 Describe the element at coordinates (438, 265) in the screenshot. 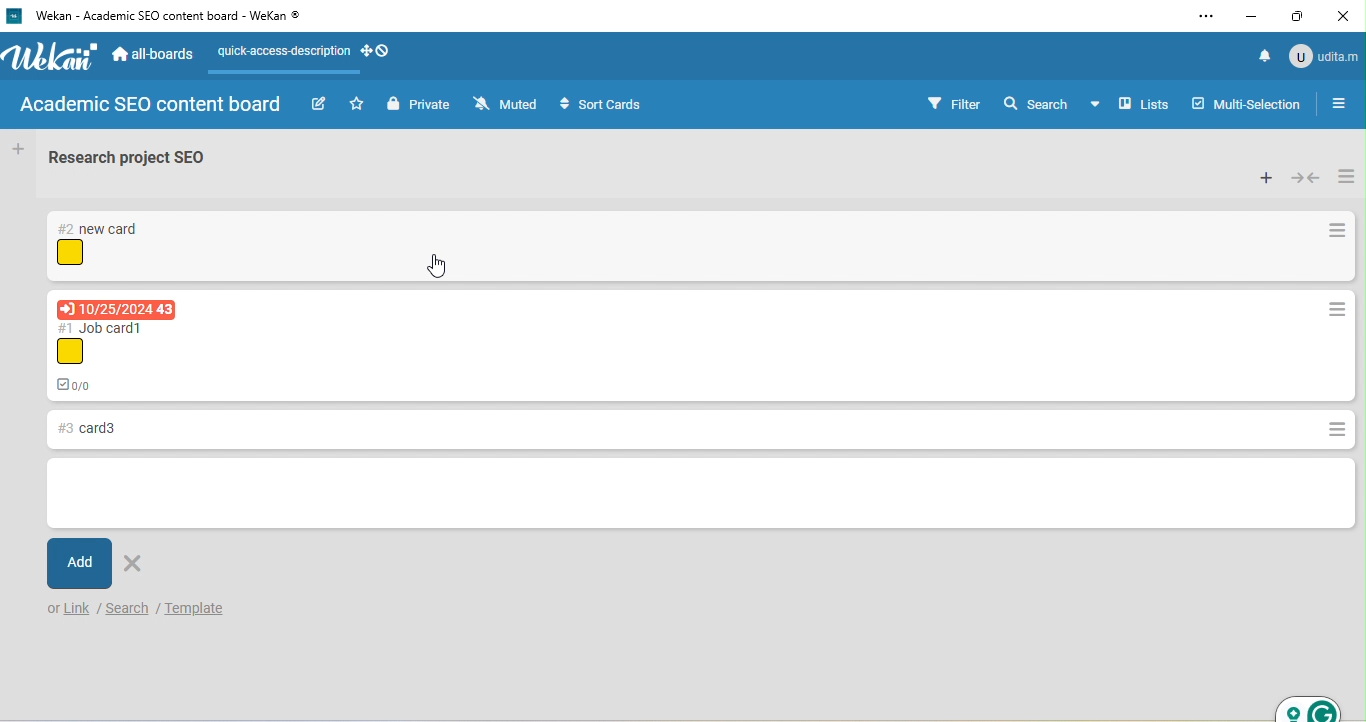

I see `cursor` at that location.